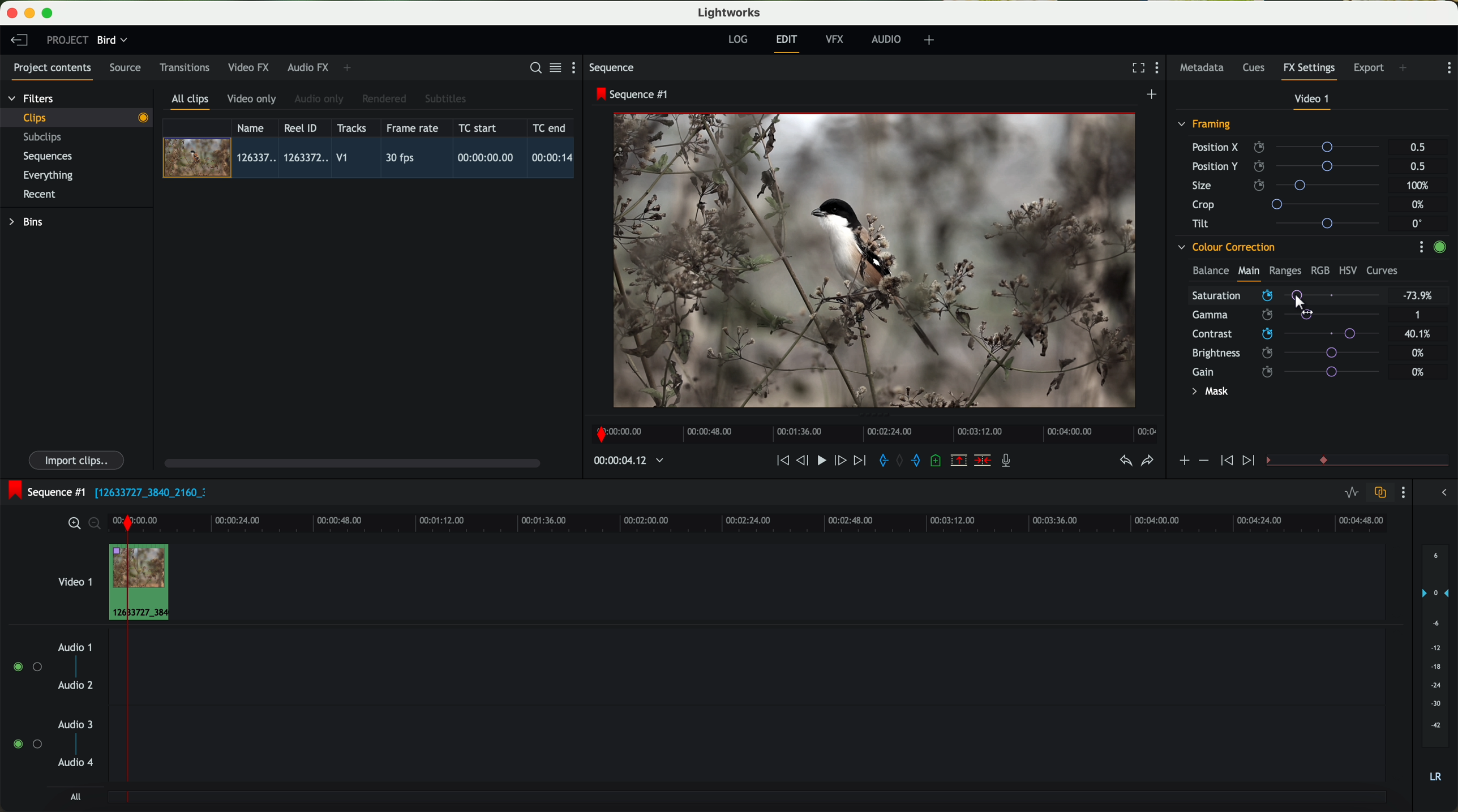 This screenshot has height=812, width=1458. Describe the element at coordinates (1290, 166) in the screenshot. I see `position Y` at that location.